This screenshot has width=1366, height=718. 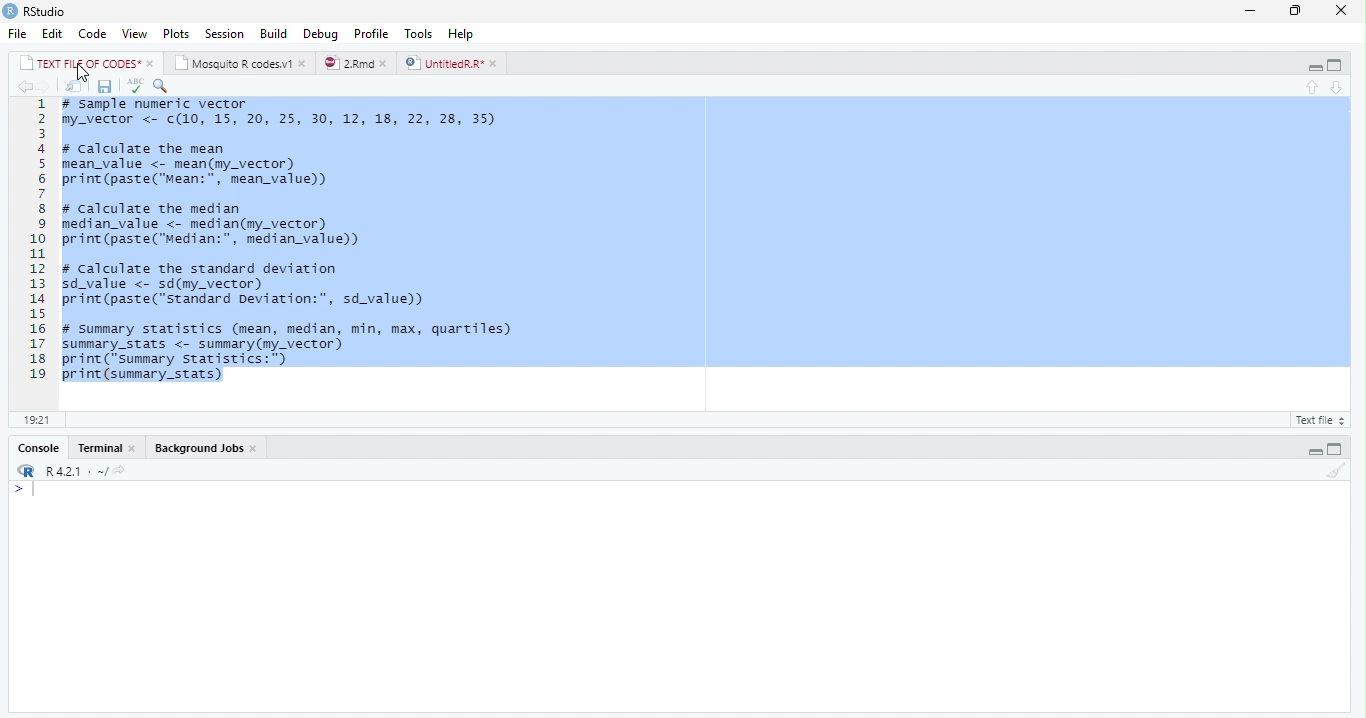 What do you see at coordinates (86, 472) in the screenshot?
I see `R 4.2.1 . ~/` at bounding box center [86, 472].